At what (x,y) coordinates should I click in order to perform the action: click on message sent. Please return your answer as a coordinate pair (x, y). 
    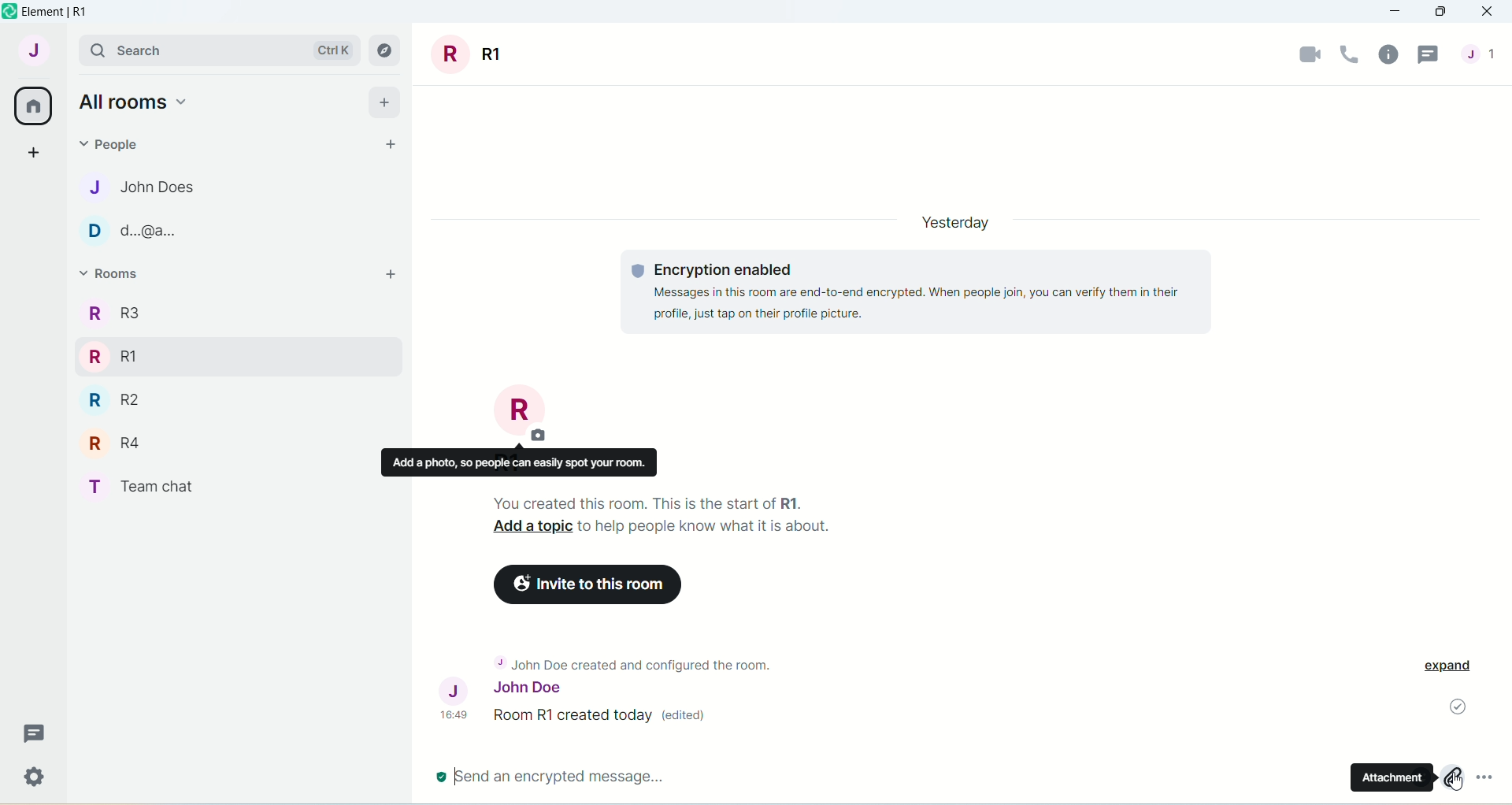
    Looking at the image, I should click on (1455, 708).